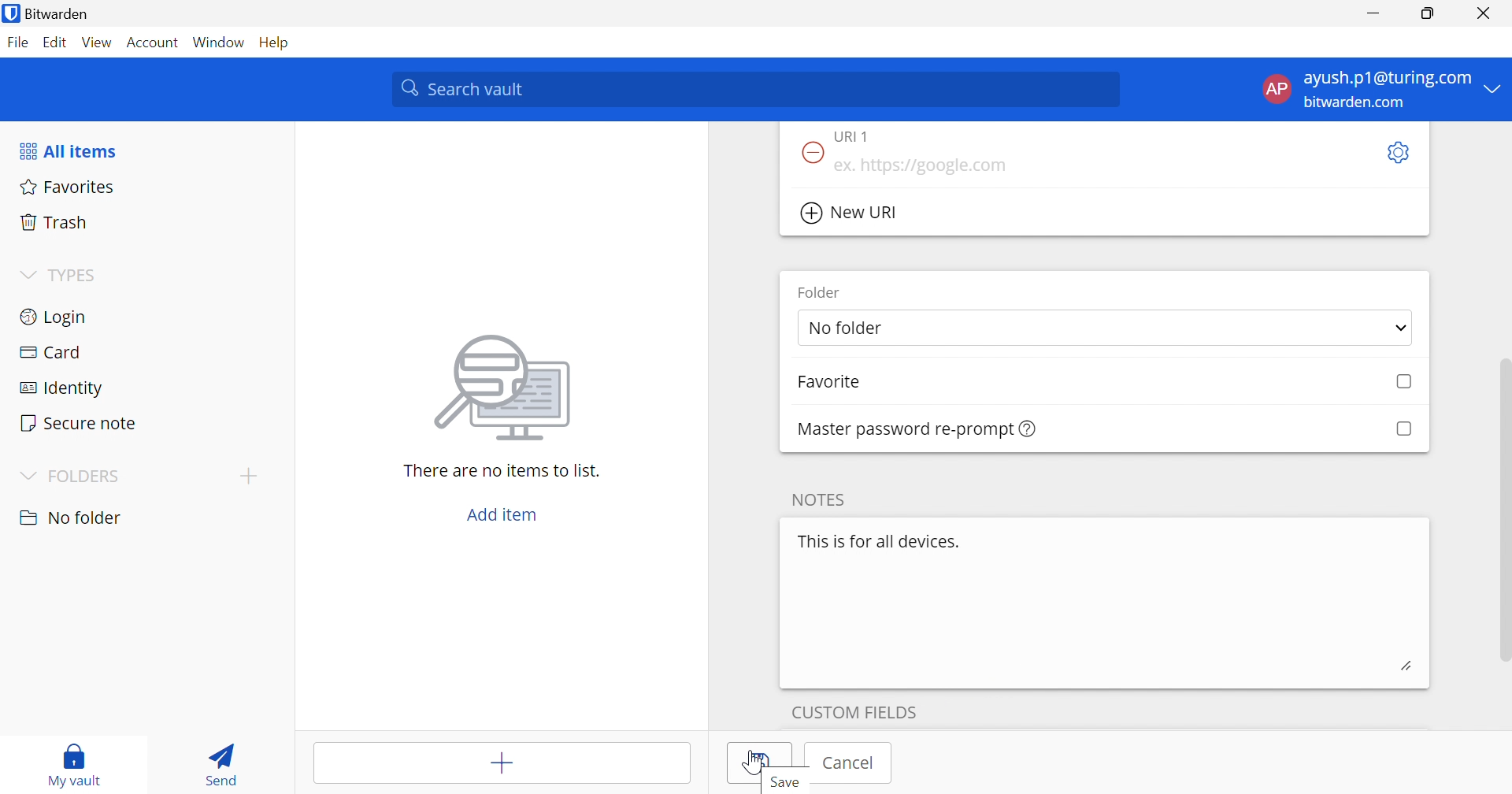 This screenshot has width=1512, height=794. Describe the element at coordinates (48, 13) in the screenshot. I see `Bitwarden` at that location.